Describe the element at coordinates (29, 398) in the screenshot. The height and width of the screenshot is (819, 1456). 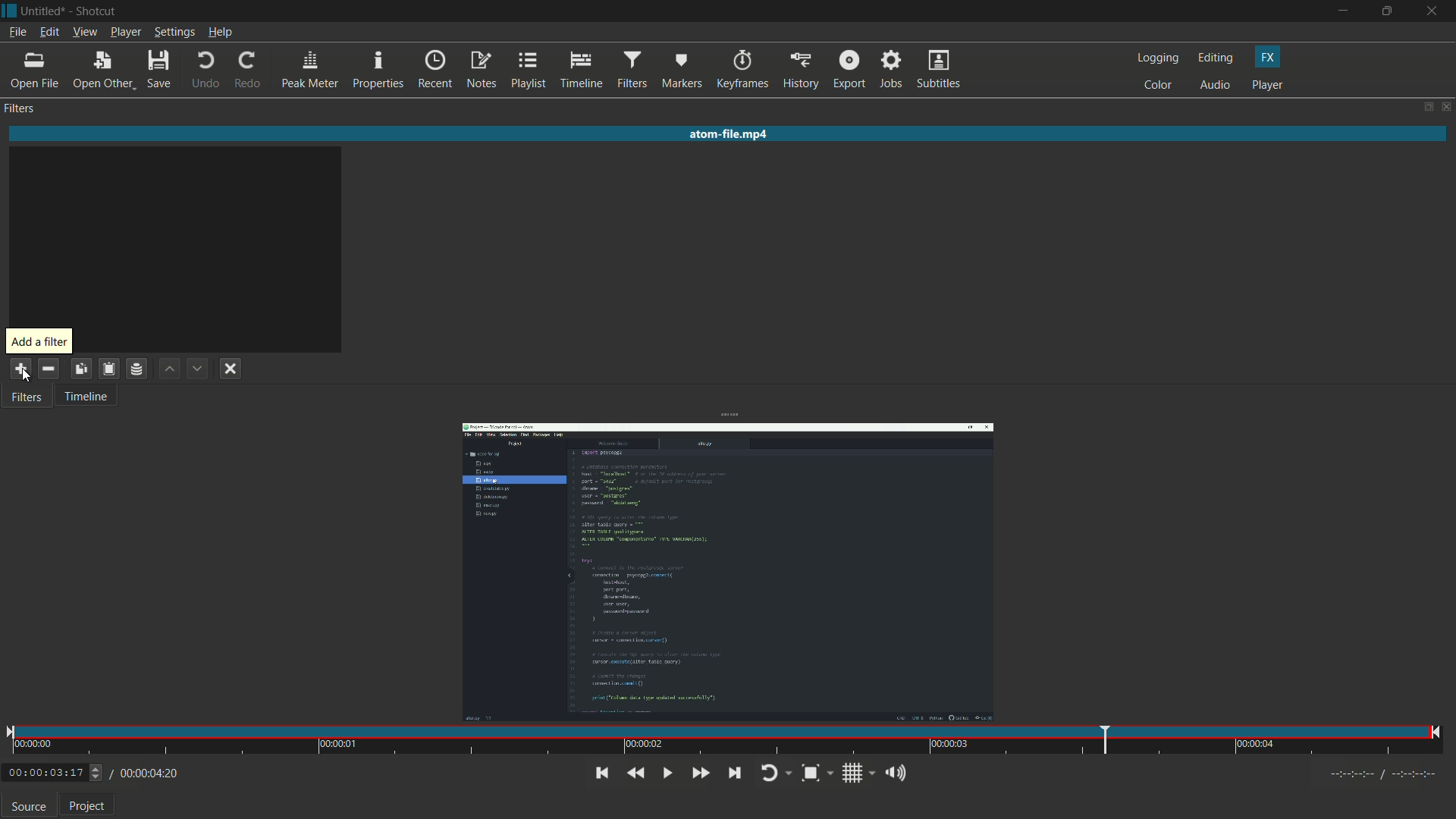
I see `filter tab` at that location.